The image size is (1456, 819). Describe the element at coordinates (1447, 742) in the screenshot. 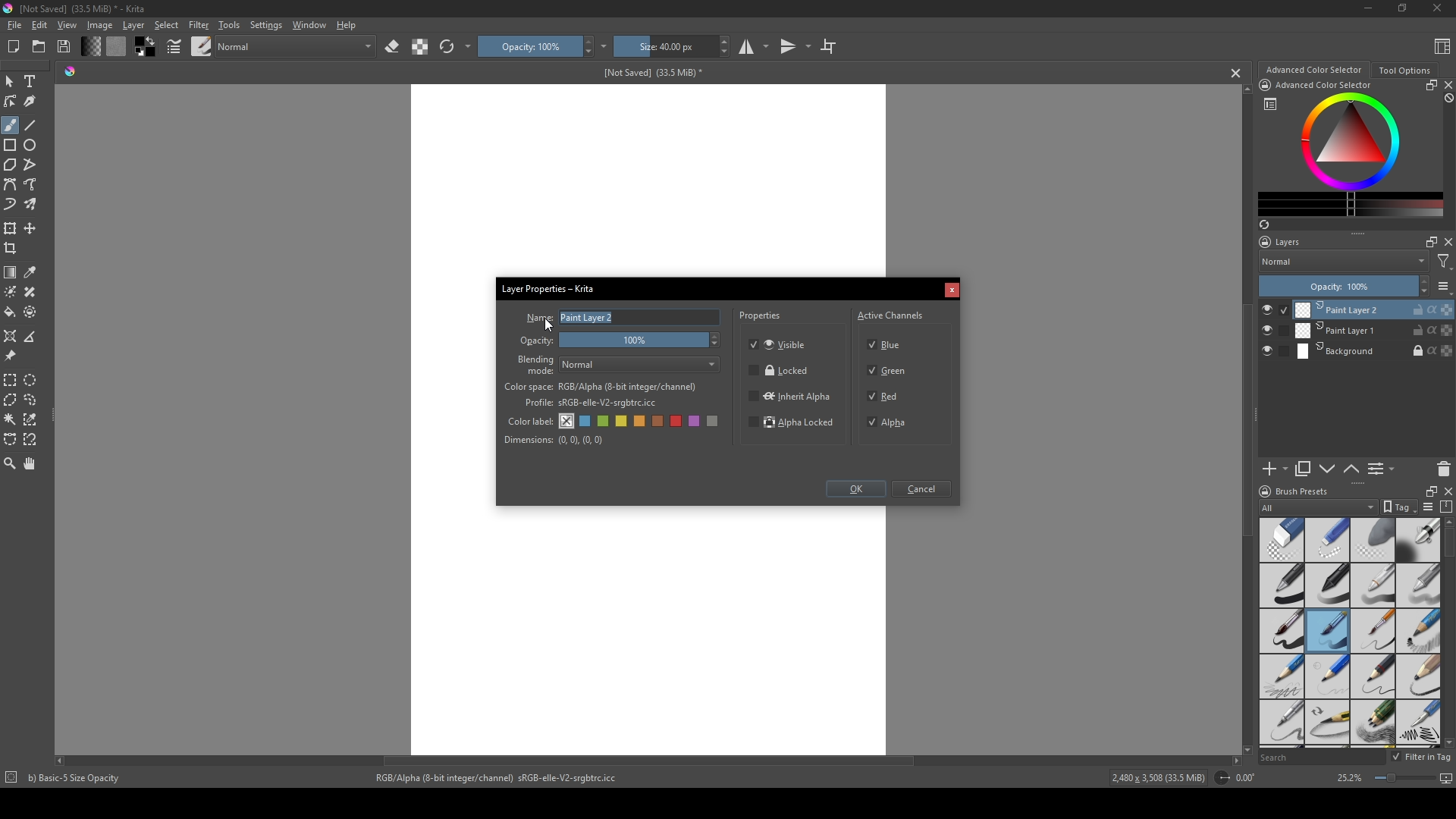

I see `scroll down` at that location.